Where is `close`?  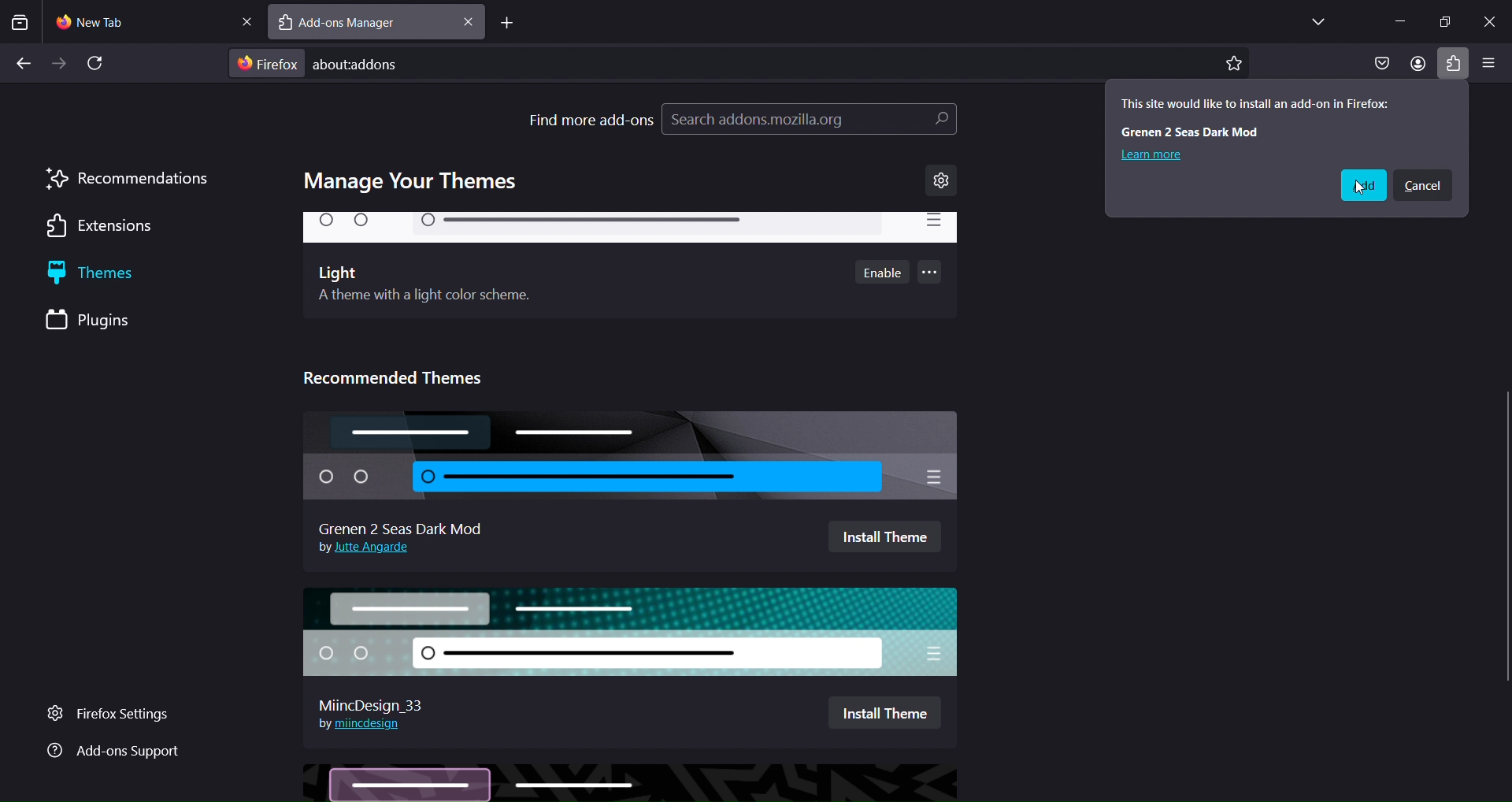 close is located at coordinates (1490, 19).